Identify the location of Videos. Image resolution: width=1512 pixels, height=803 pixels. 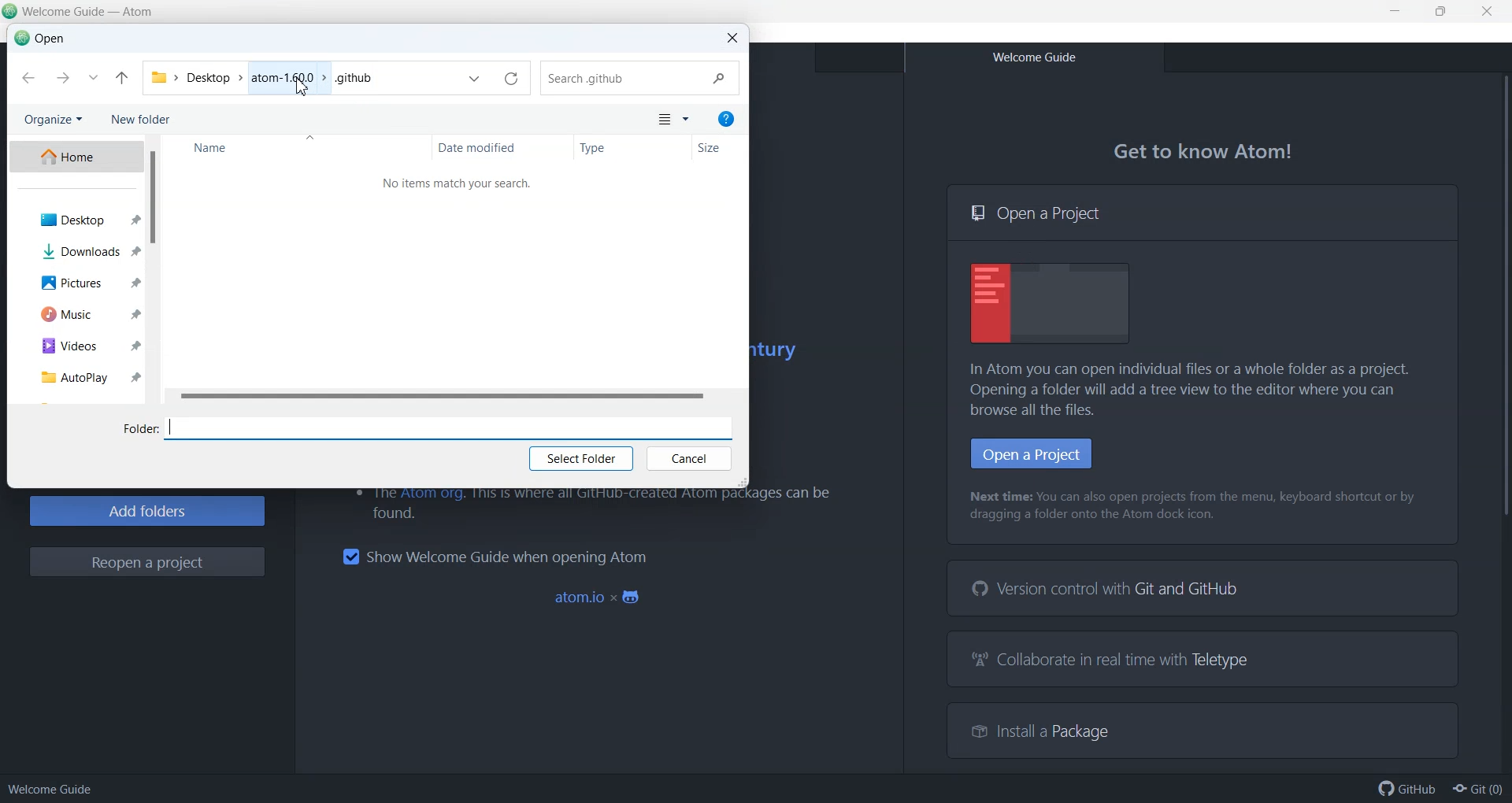
(76, 343).